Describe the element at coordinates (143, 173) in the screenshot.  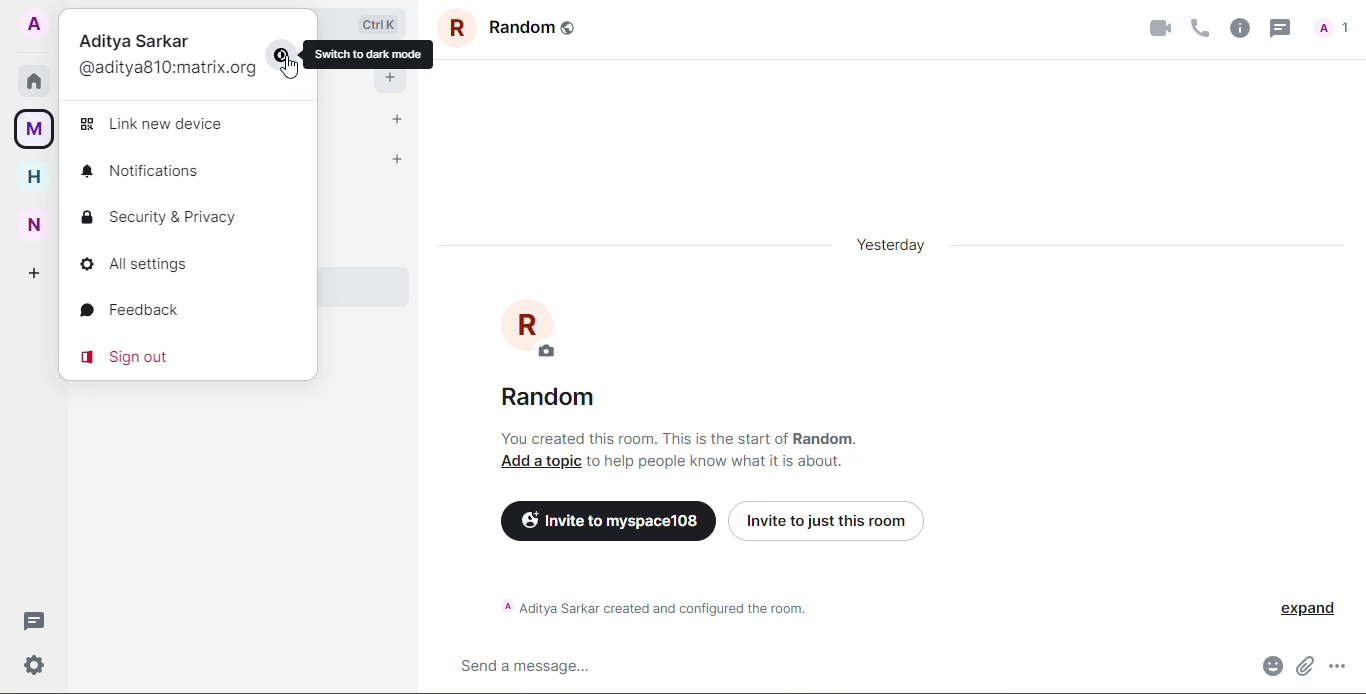
I see `notifications` at that location.